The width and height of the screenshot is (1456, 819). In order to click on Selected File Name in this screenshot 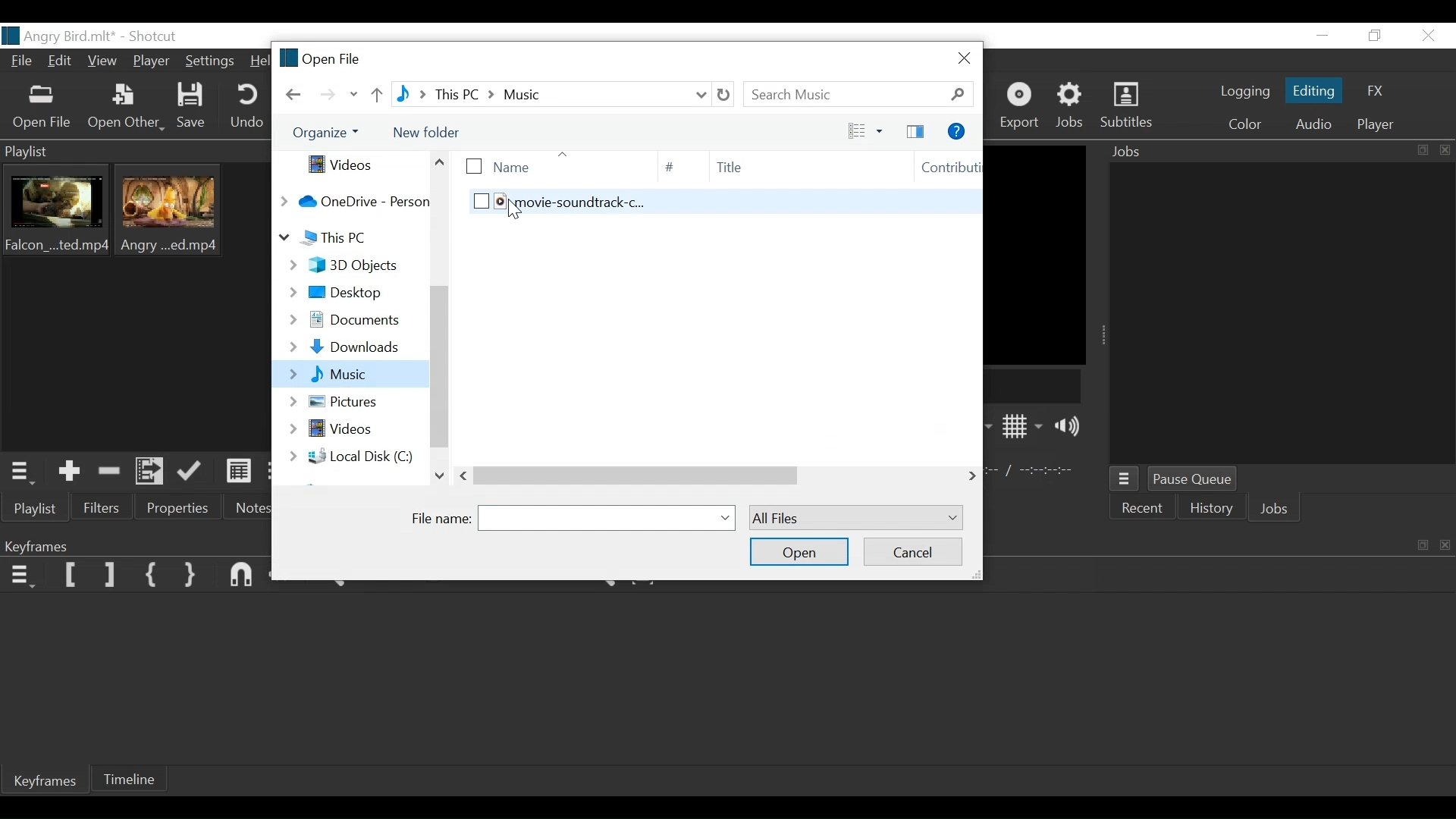, I will do `click(608, 517)`.